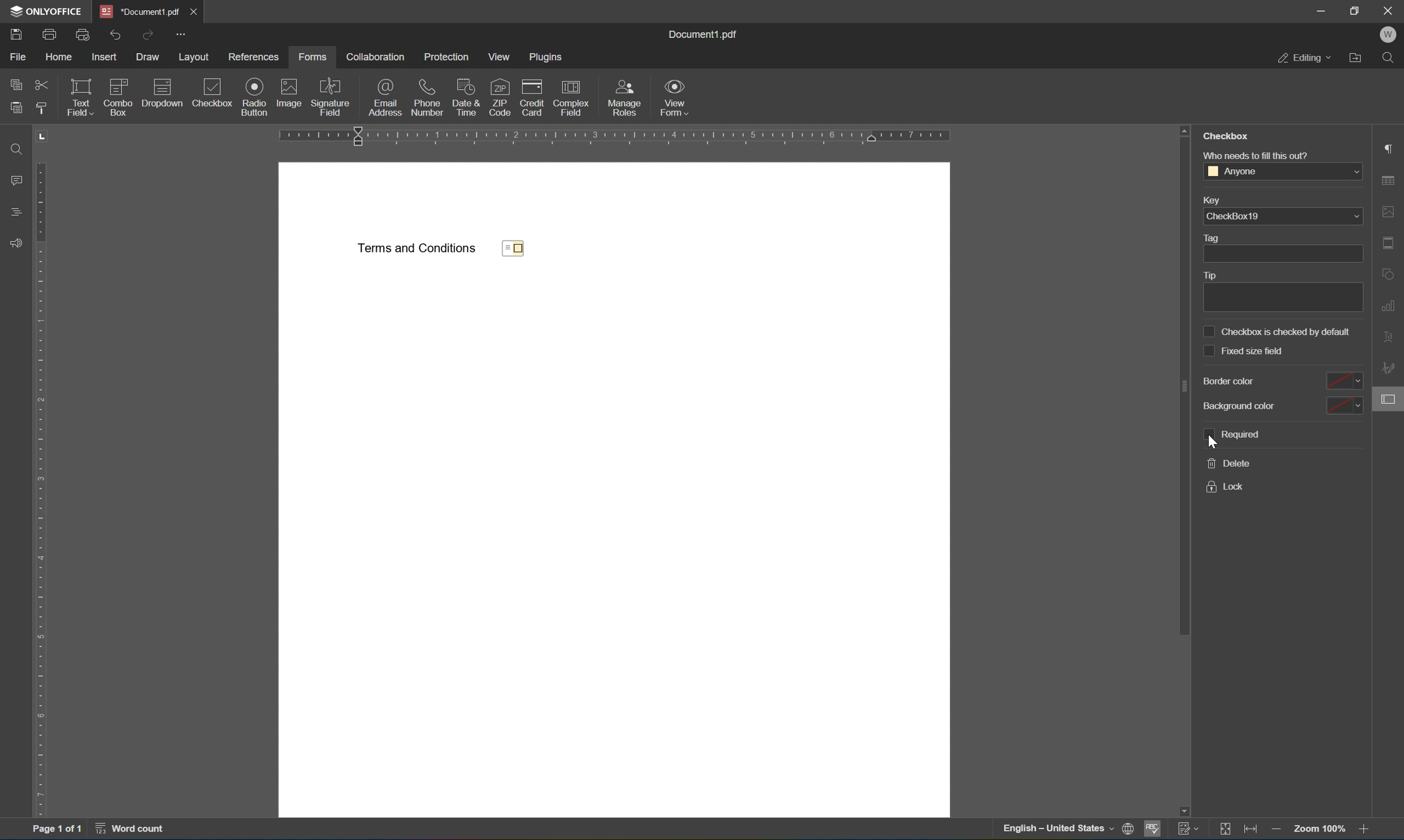  I want to click on insert, so click(105, 58).